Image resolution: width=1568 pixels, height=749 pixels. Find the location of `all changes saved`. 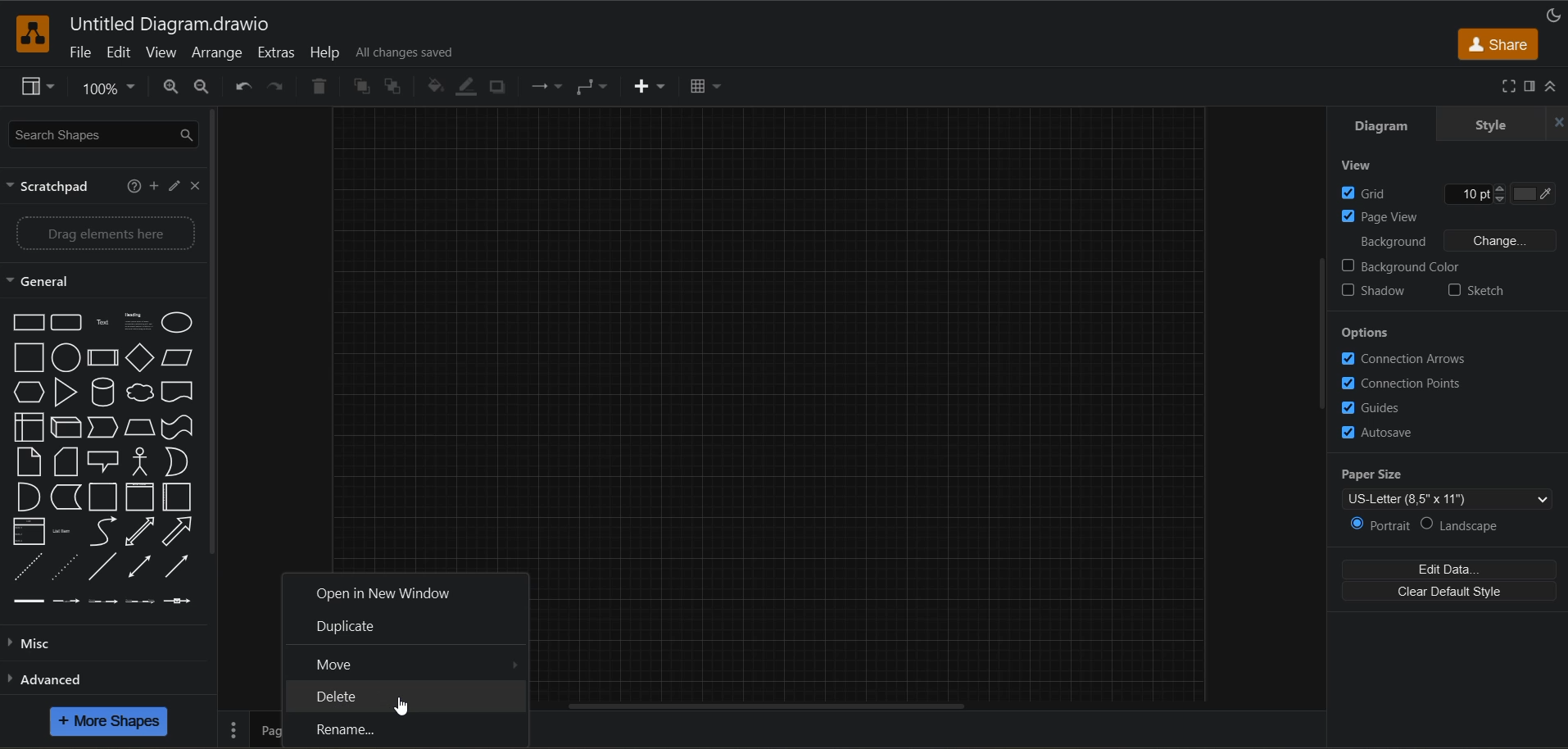

all changes saved is located at coordinates (409, 53).